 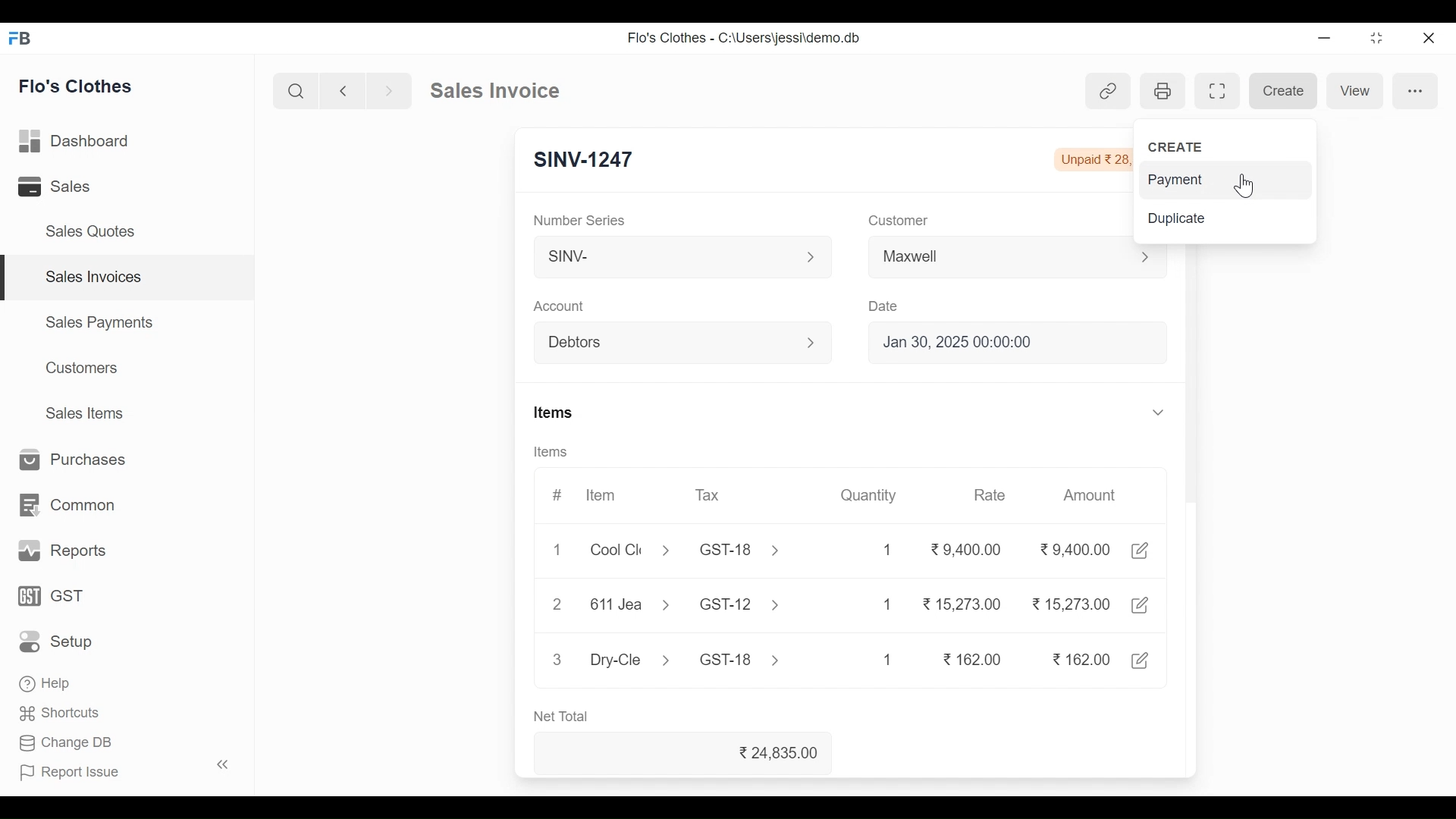 I want to click on 9.400.00, so click(x=1075, y=548).